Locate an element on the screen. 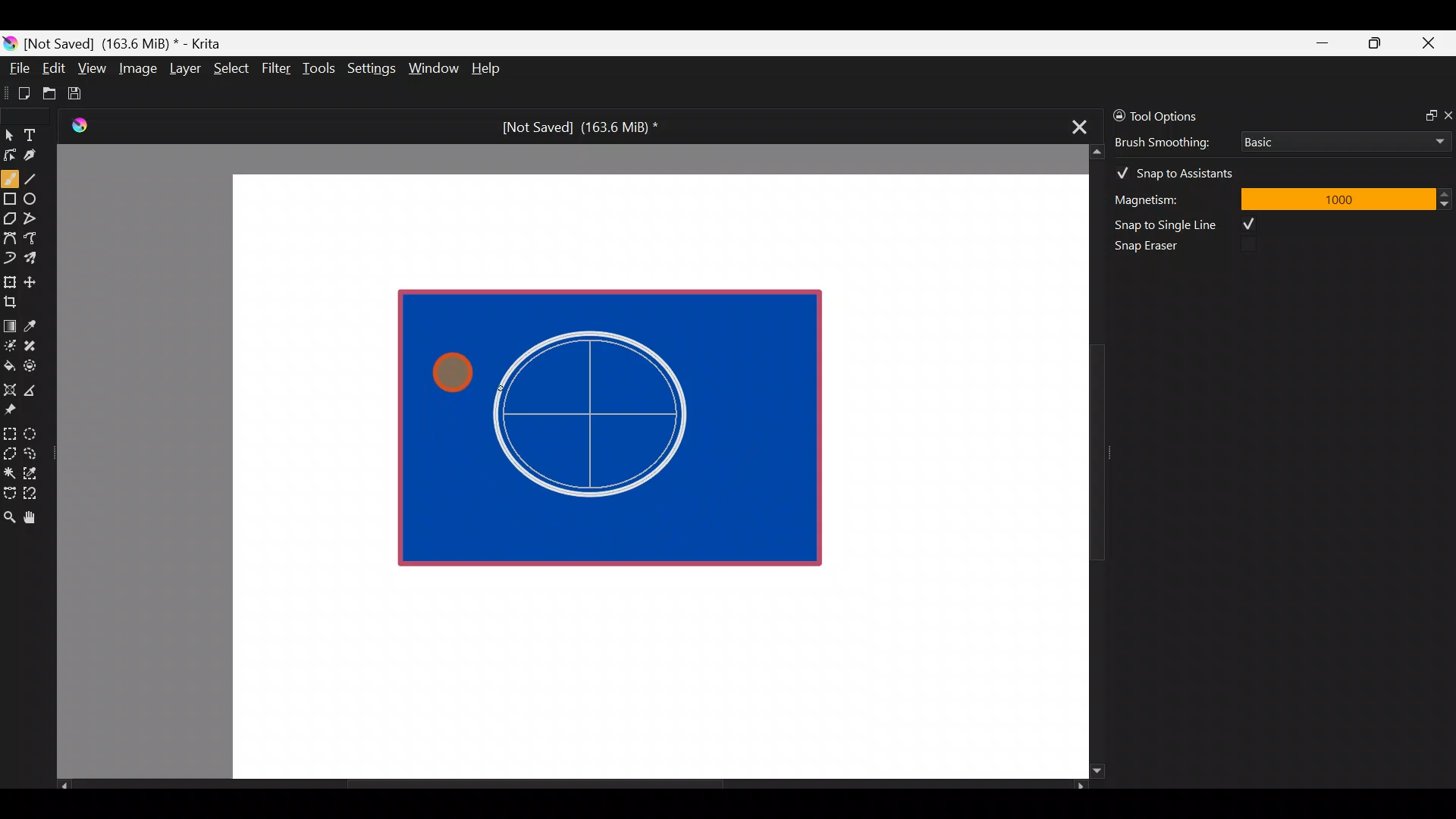  Reference images tool is located at coordinates (15, 408).